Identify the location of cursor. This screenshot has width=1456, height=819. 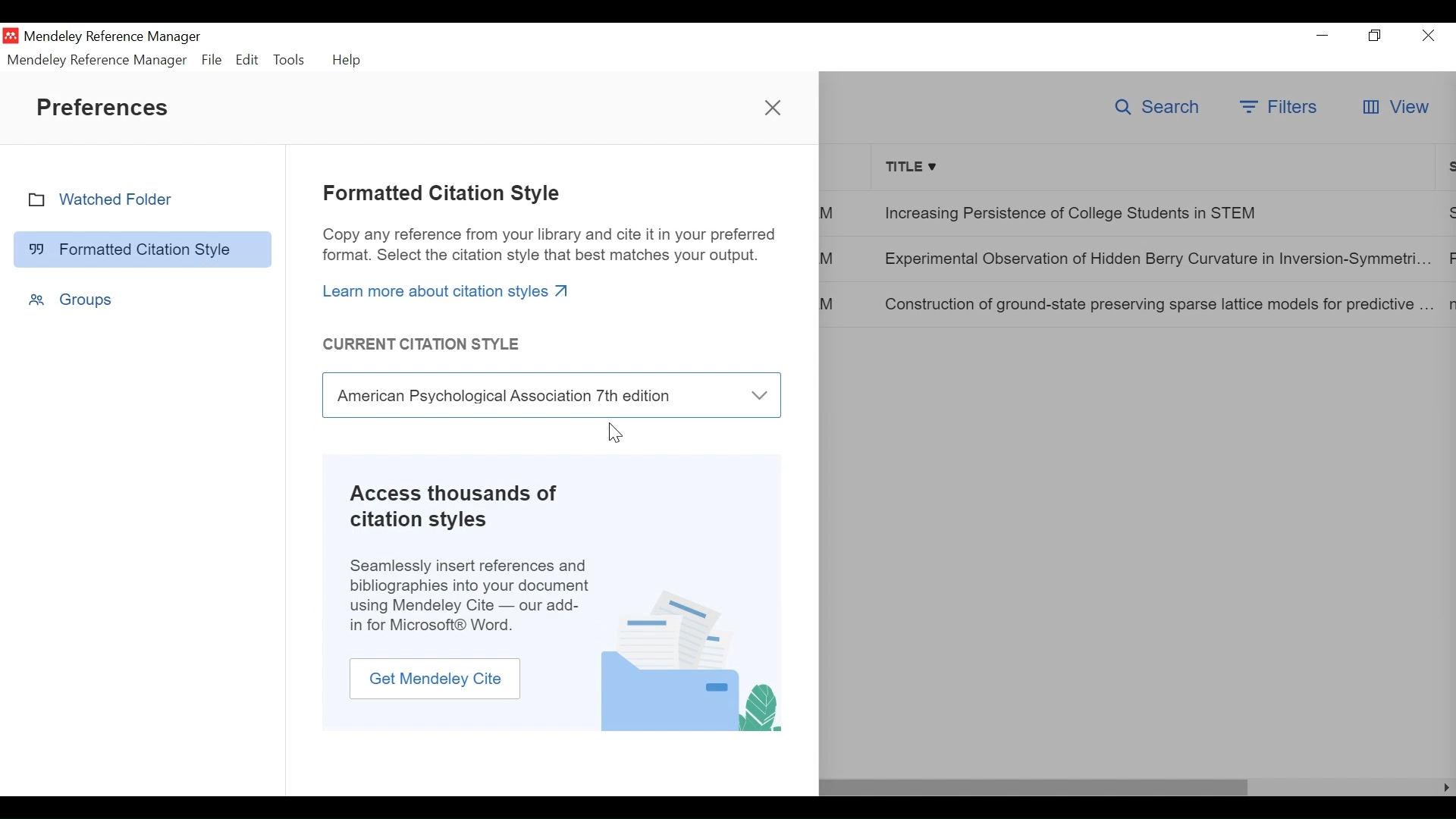
(618, 434).